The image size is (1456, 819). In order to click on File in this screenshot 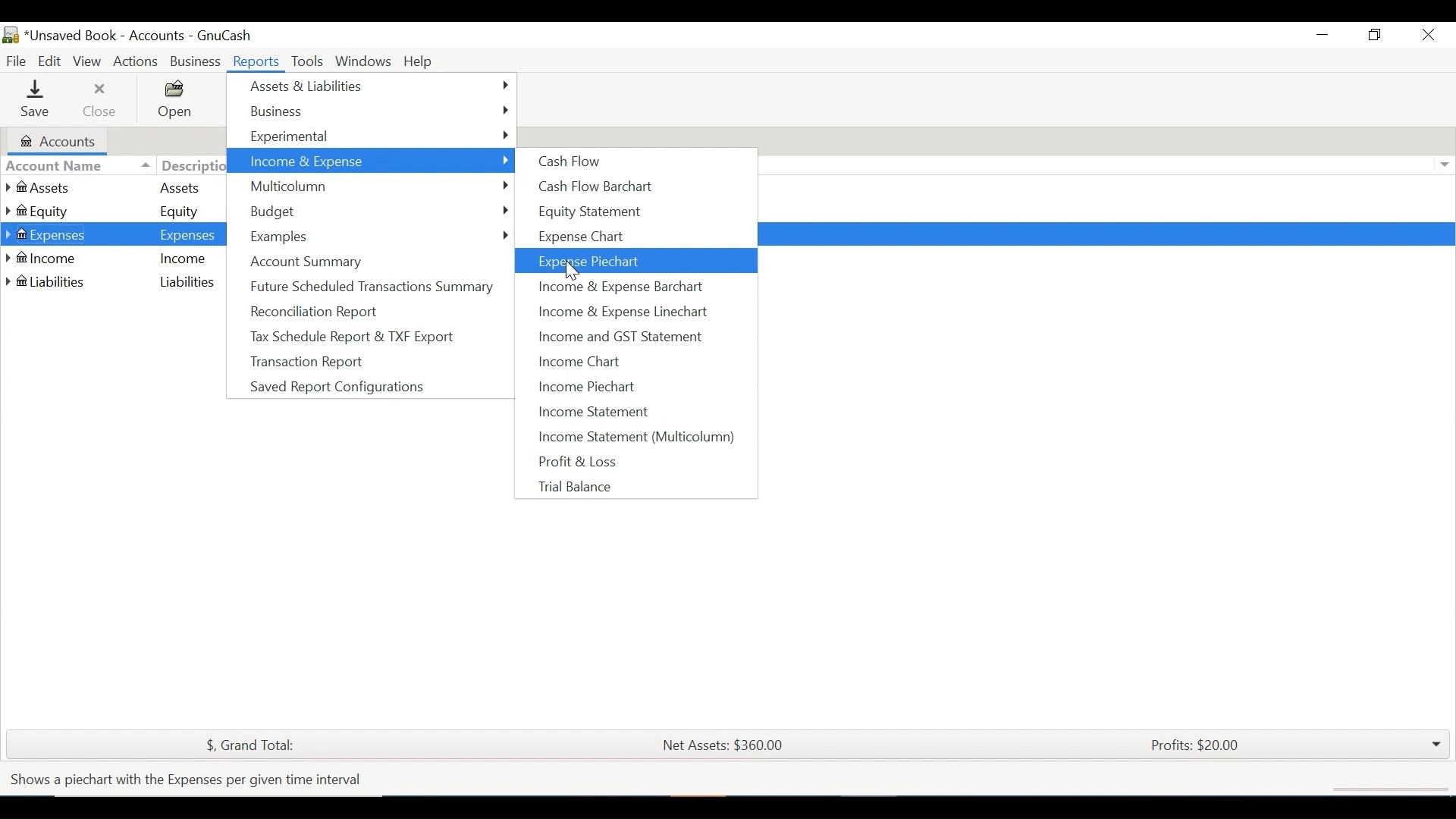, I will do `click(14, 59)`.